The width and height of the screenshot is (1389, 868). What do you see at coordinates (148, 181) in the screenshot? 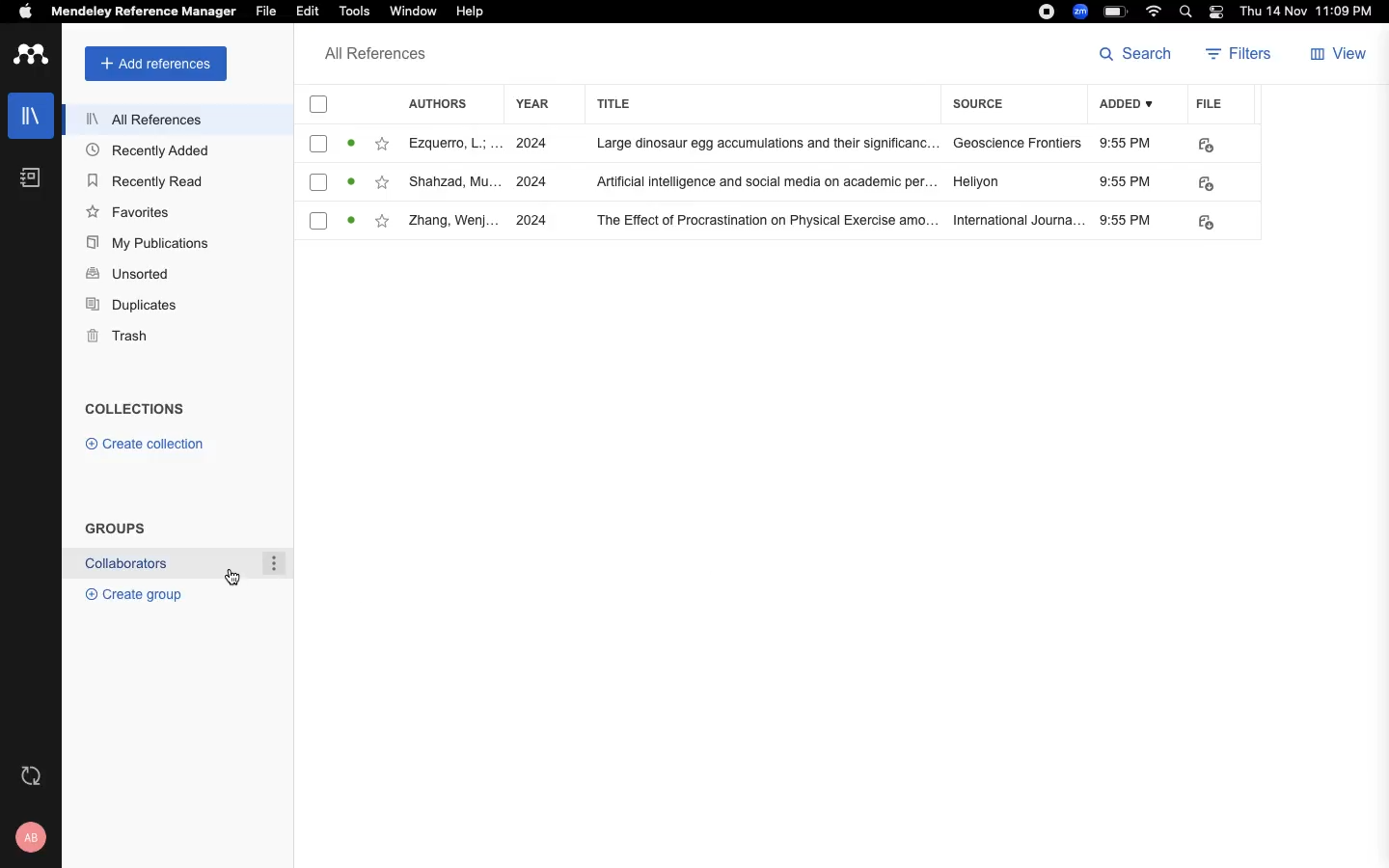
I see `Recently Read` at bounding box center [148, 181].